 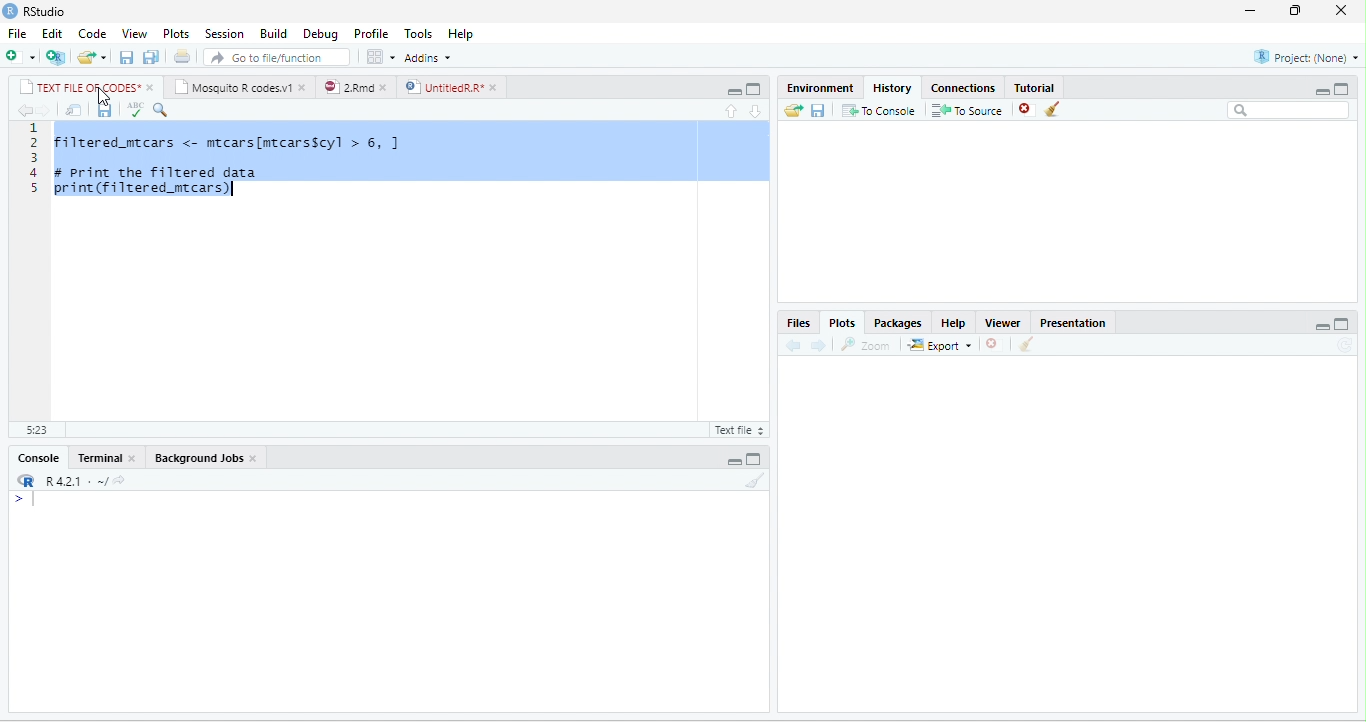 I want to click on forward, so click(x=44, y=110).